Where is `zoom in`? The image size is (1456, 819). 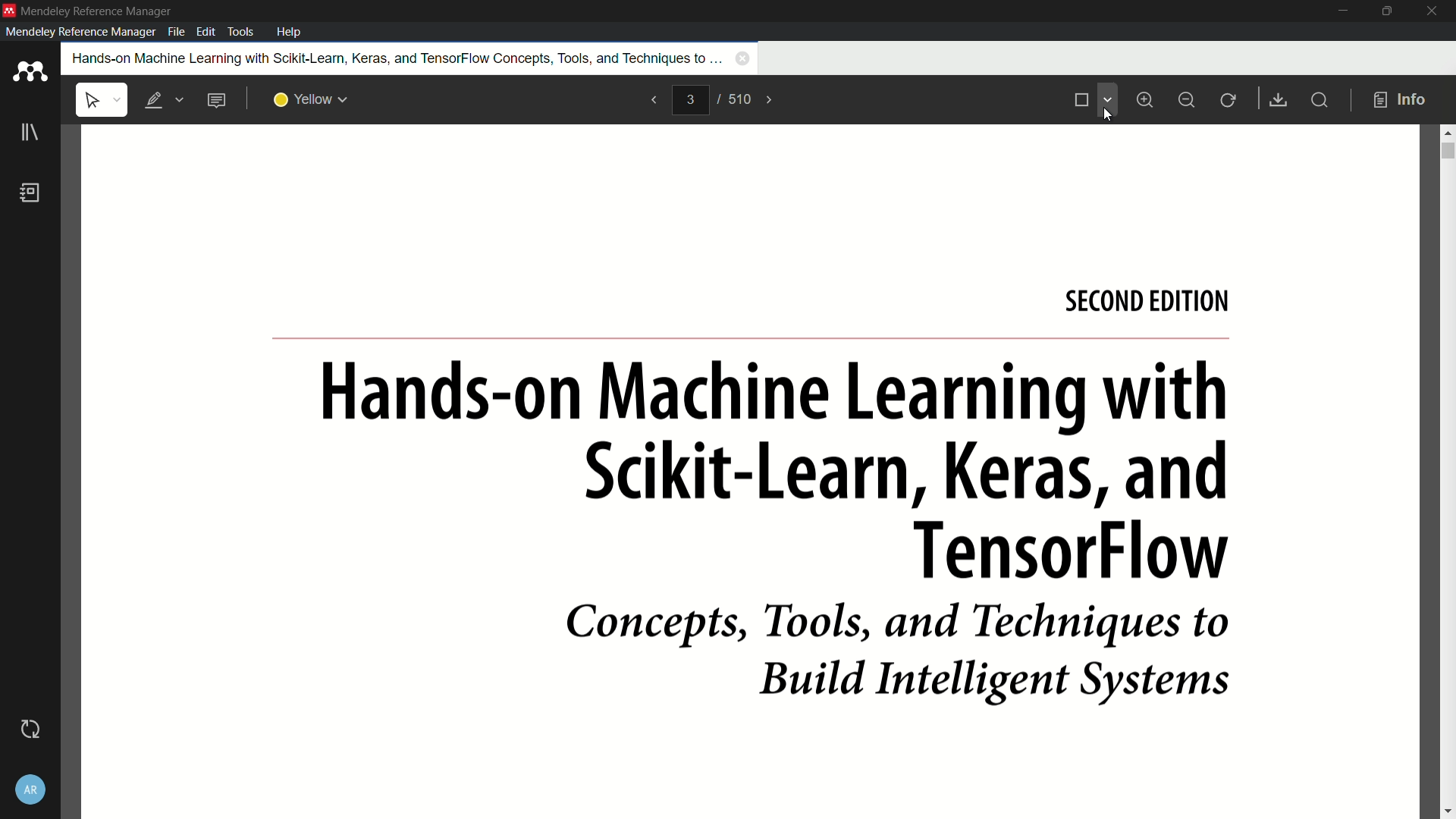
zoom in is located at coordinates (1148, 100).